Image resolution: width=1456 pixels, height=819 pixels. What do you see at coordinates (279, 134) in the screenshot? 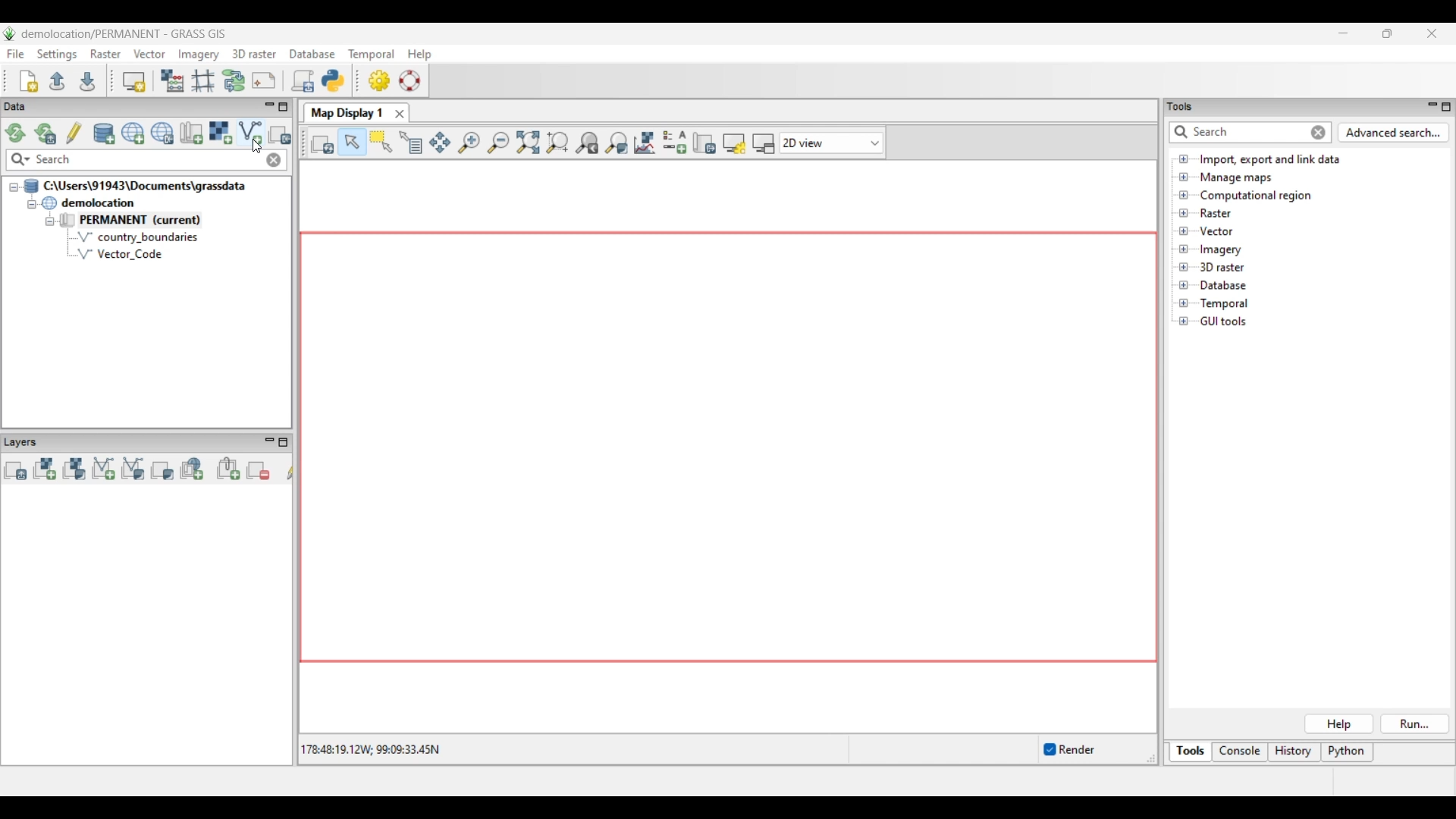
I see `Select another import option` at bounding box center [279, 134].